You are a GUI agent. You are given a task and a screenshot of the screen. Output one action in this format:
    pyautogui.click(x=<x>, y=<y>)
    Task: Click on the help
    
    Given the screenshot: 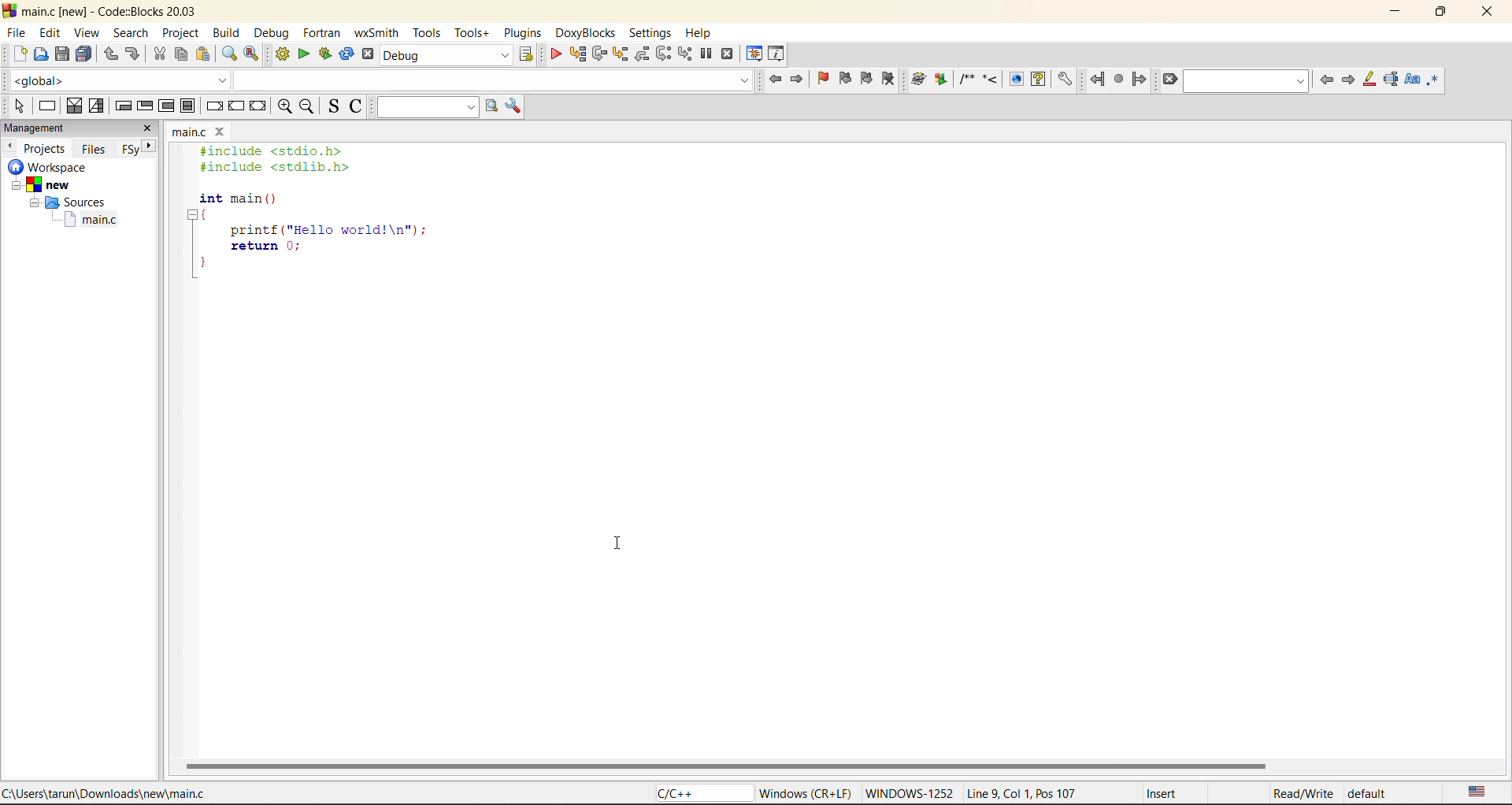 What is the action you would take?
    pyautogui.click(x=702, y=34)
    